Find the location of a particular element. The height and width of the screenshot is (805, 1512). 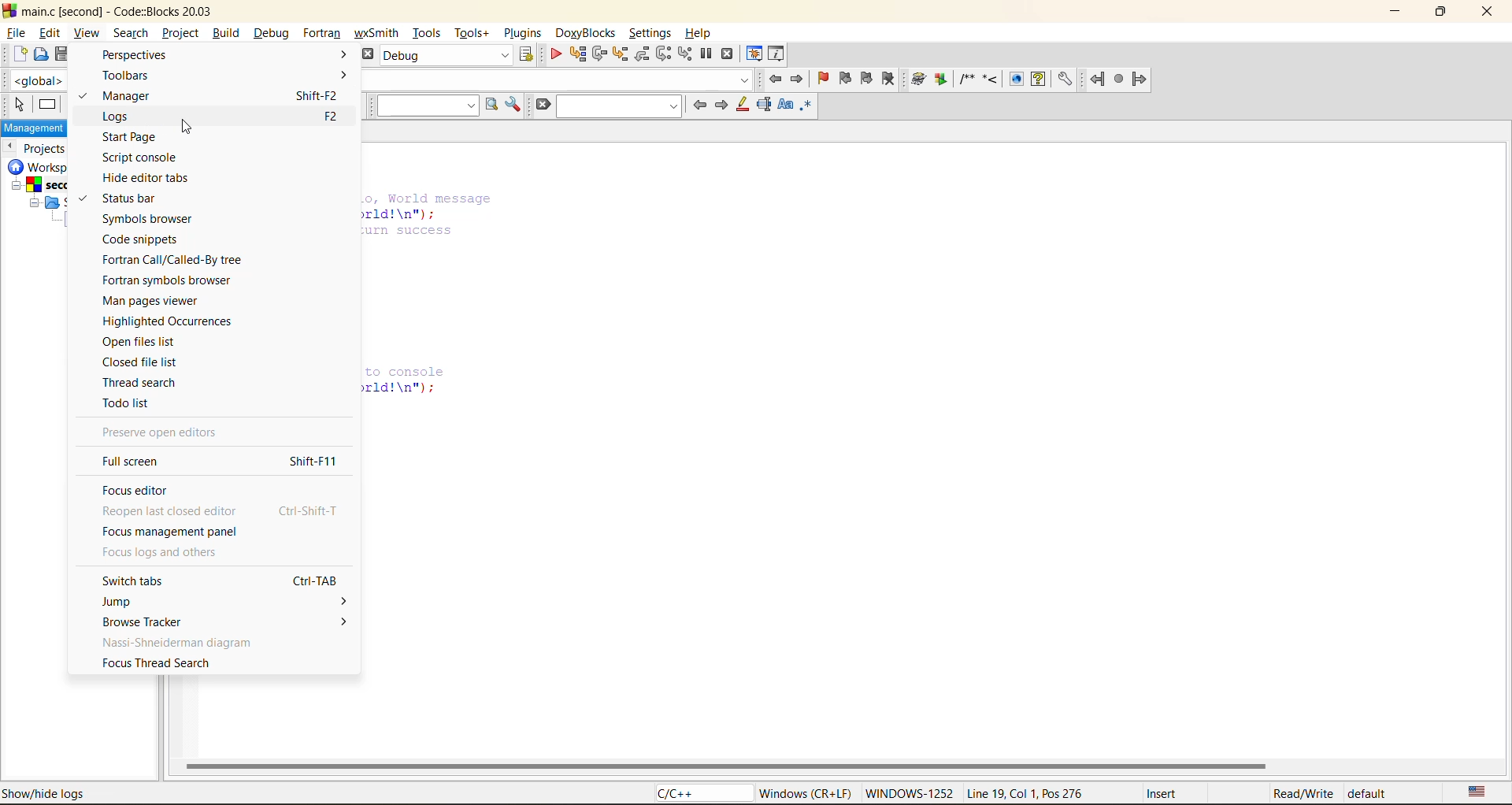

manager is located at coordinates (141, 95).